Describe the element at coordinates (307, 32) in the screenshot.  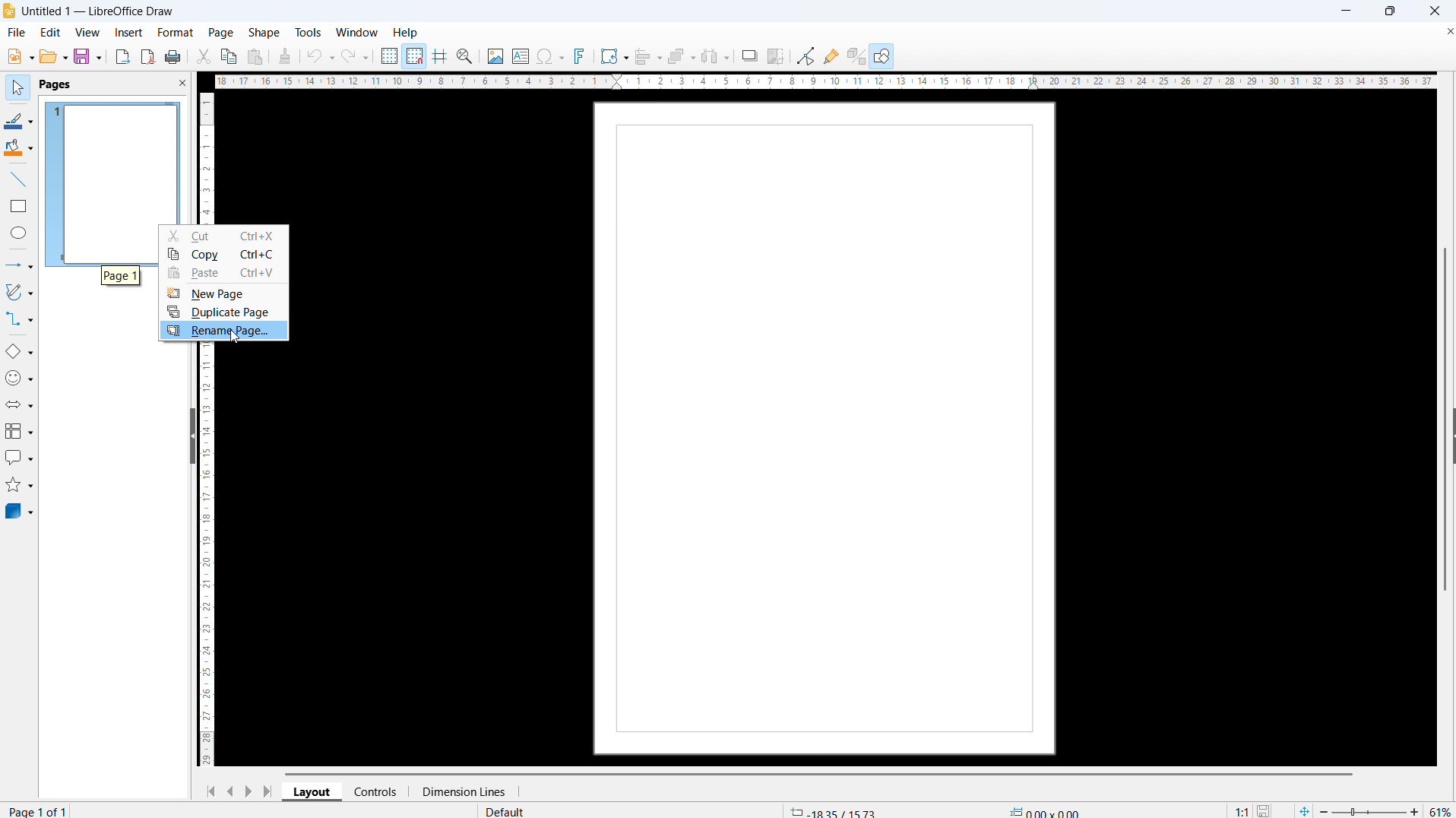
I see `tools` at that location.